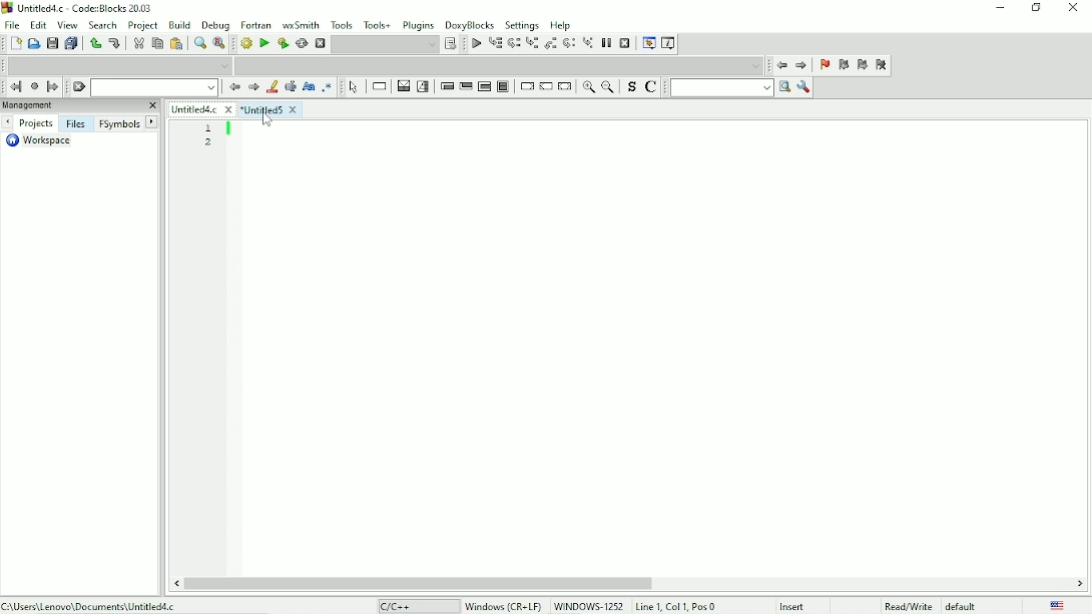  What do you see at coordinates (34, 87) in the screenshot?
I see `Last jump` at bounding box center [34, 87].